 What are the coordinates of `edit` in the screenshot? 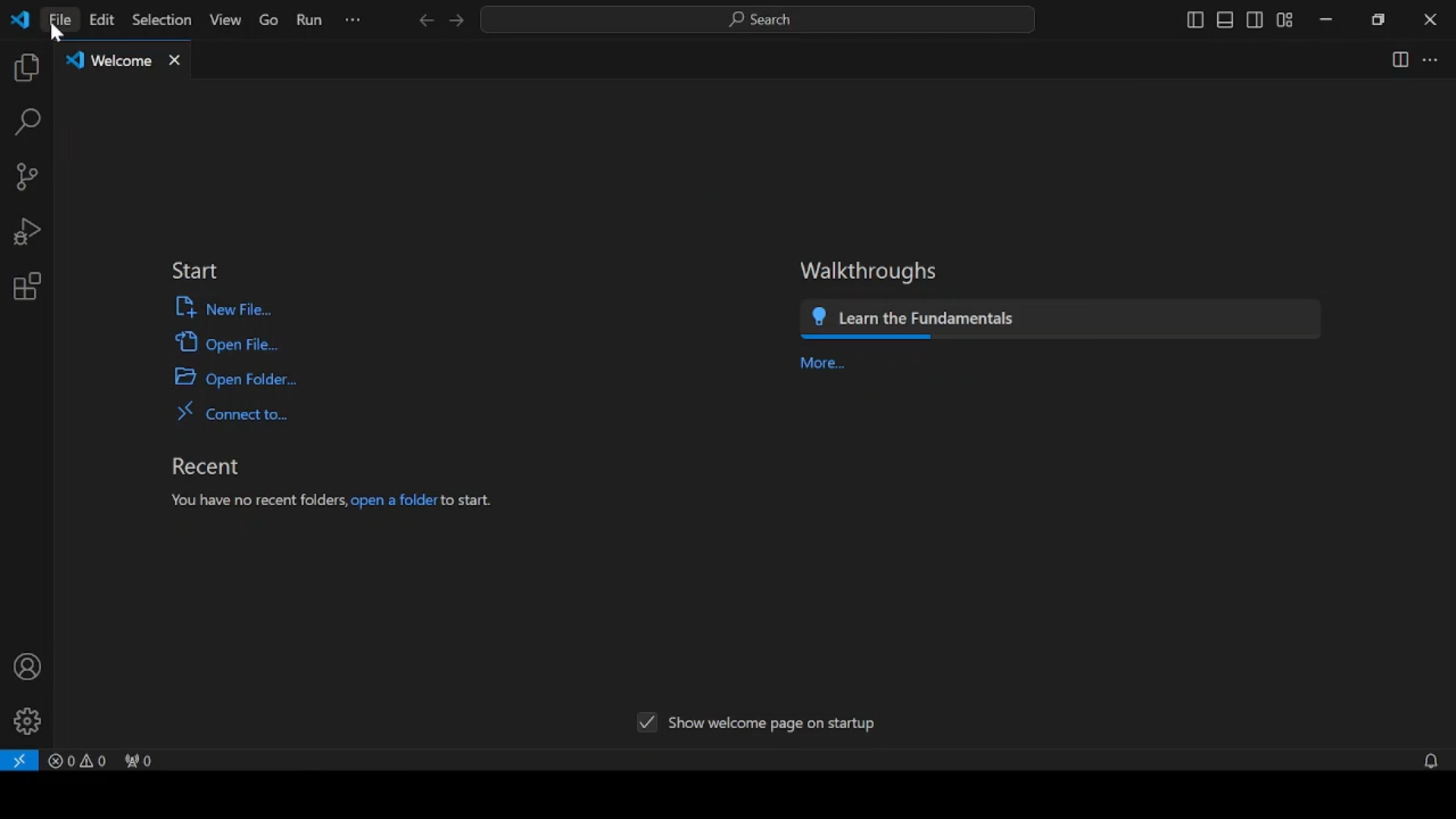 It's located at (101, 19).